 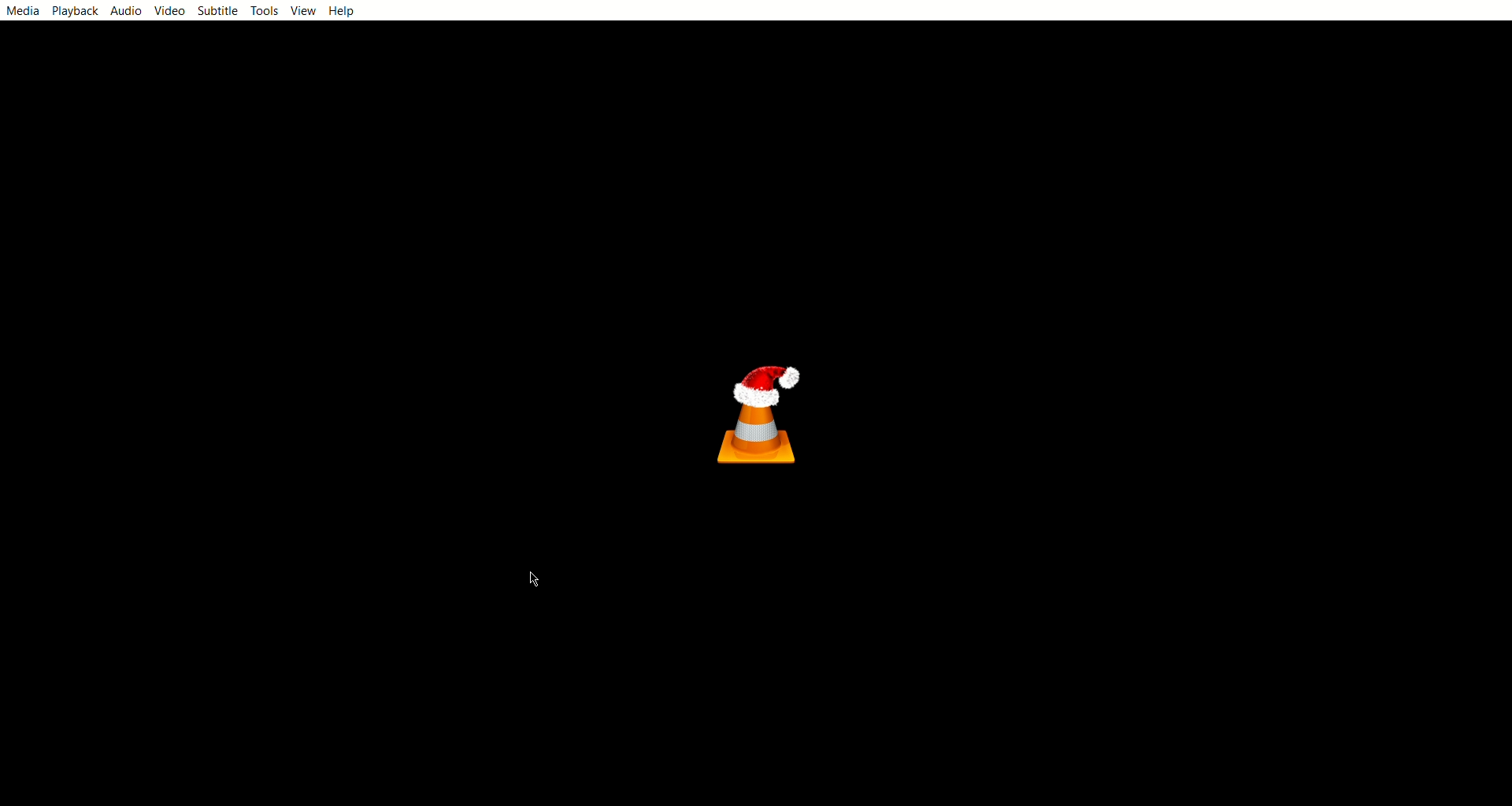 I want to click on vlc logo, so click(x=762, y=416).